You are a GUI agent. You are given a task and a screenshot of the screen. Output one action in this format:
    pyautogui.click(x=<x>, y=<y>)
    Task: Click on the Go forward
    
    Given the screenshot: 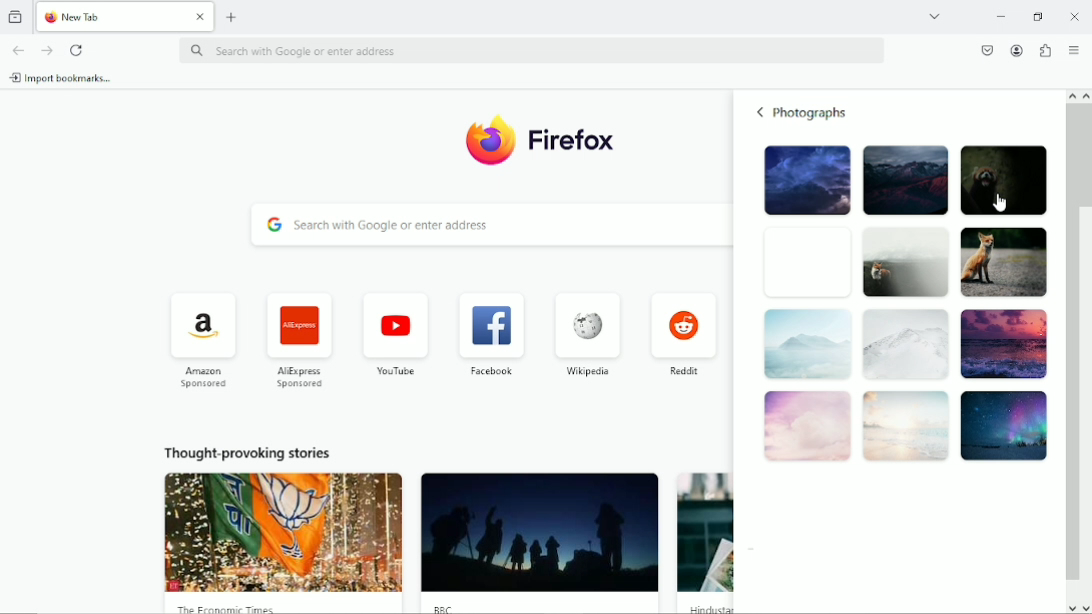 What is the action you would take?
    pyautogui.click(x=46, y=50)
    